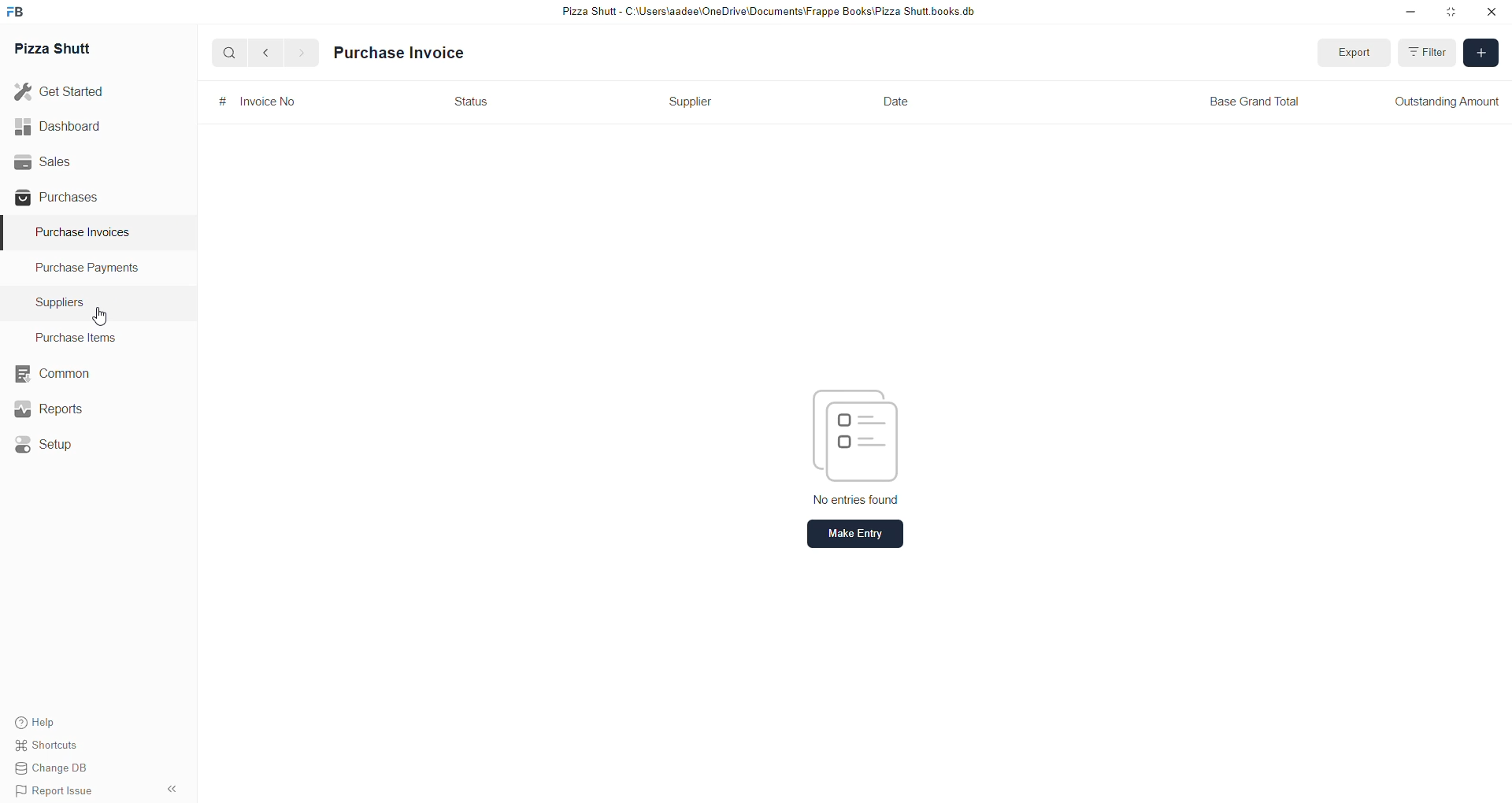 The height and width of the screenshot is (803, 1512). What do you see at coordinates (1409, 14) in the screenshot?
I see `minimize` at bounding box center [1409, 14].